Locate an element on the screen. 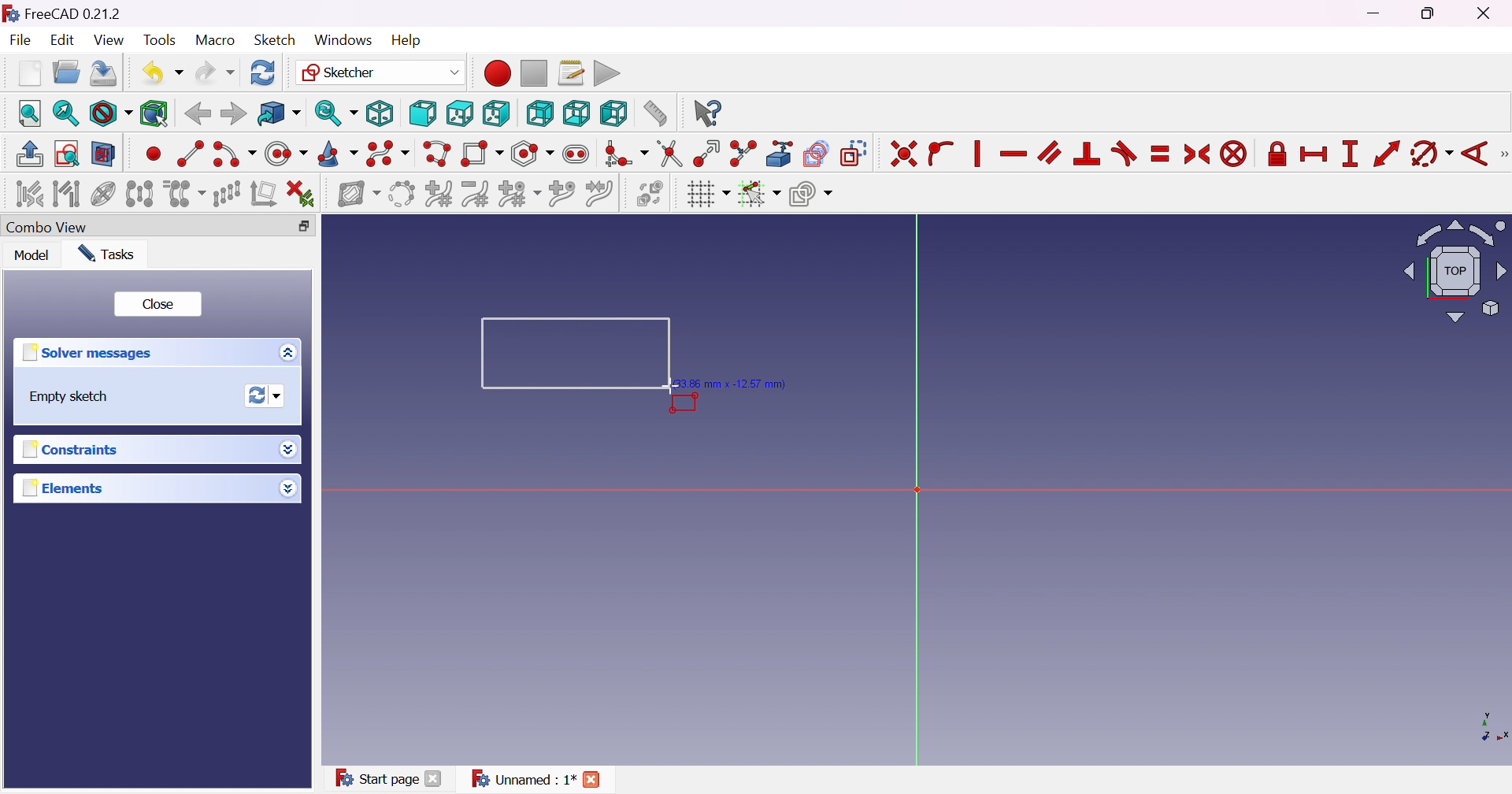 This screenshot has width=1512, height=794. Create slot is located at coordinates (578, 154).